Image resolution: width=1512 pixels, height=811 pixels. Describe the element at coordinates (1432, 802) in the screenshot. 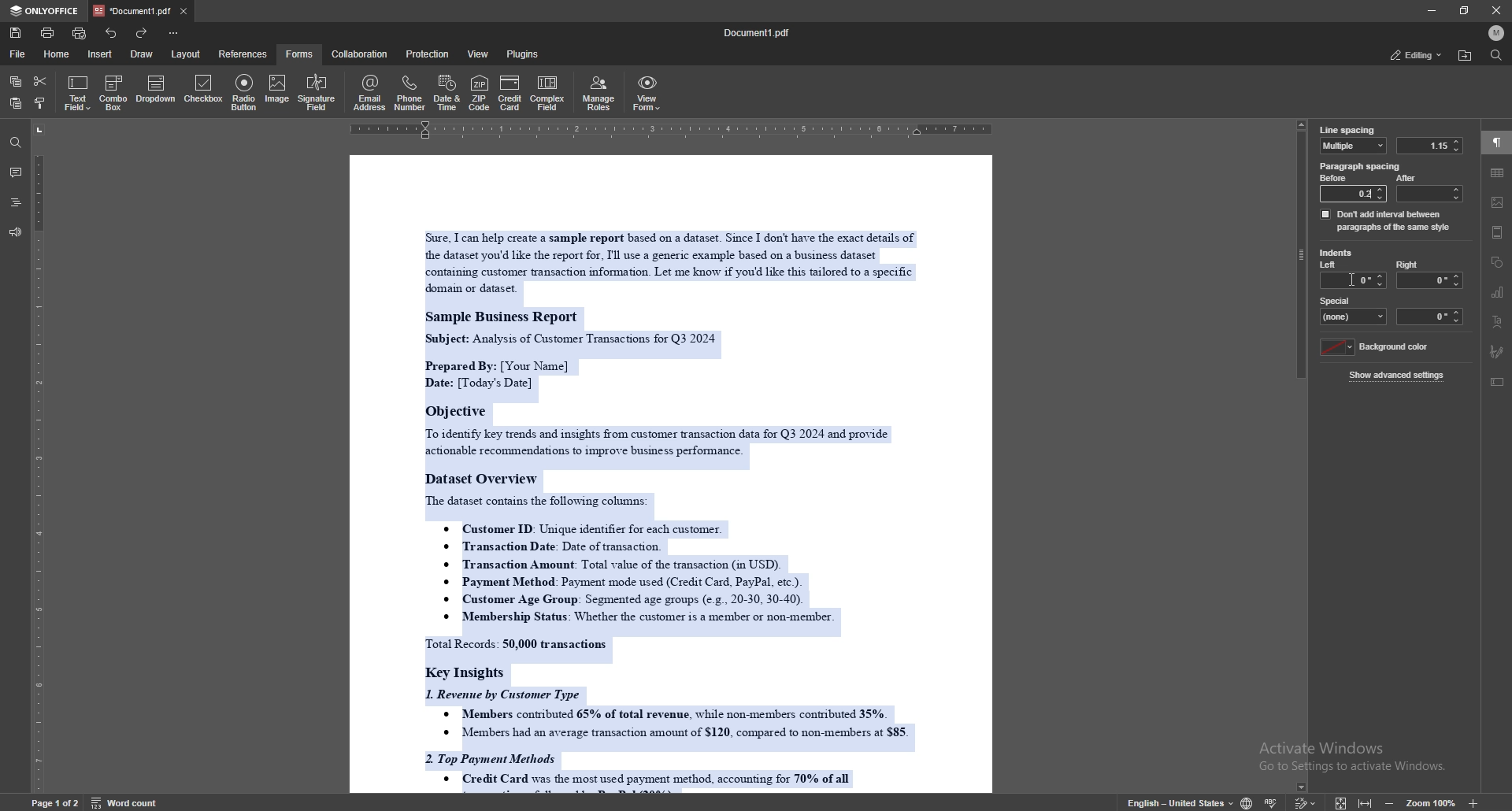

I see `zoom` at that location.